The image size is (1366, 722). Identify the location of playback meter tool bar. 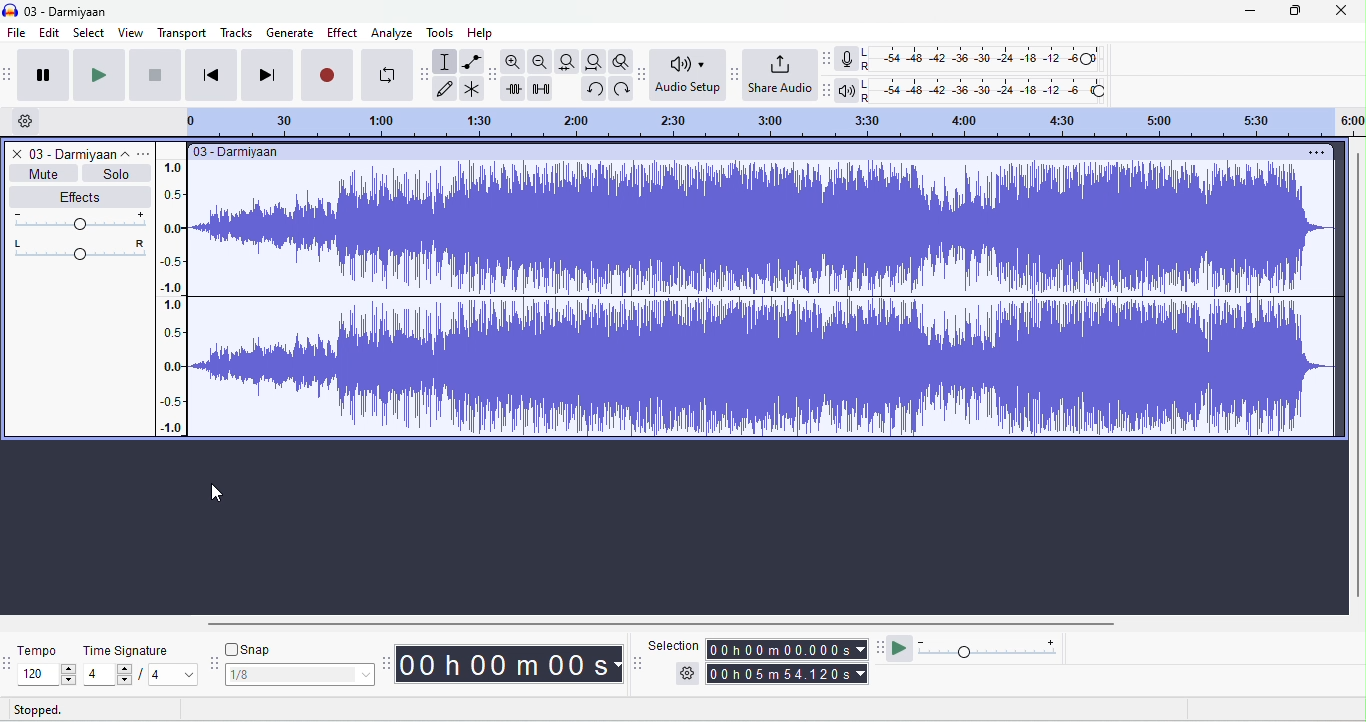
(826, 90).